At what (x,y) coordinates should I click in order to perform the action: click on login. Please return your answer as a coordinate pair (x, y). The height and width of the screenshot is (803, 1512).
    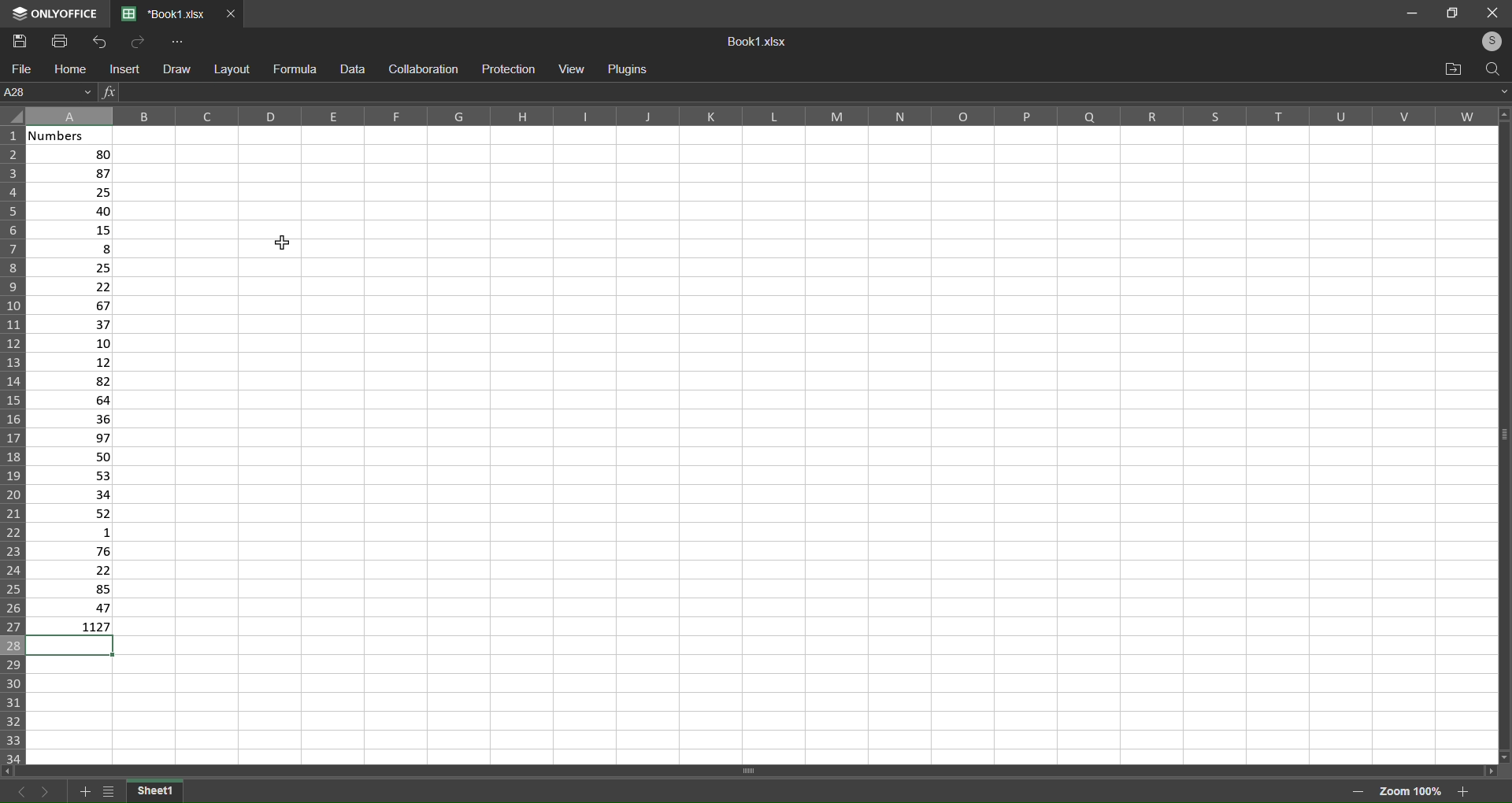
    Looking at the image, I should click on (1493, 40).